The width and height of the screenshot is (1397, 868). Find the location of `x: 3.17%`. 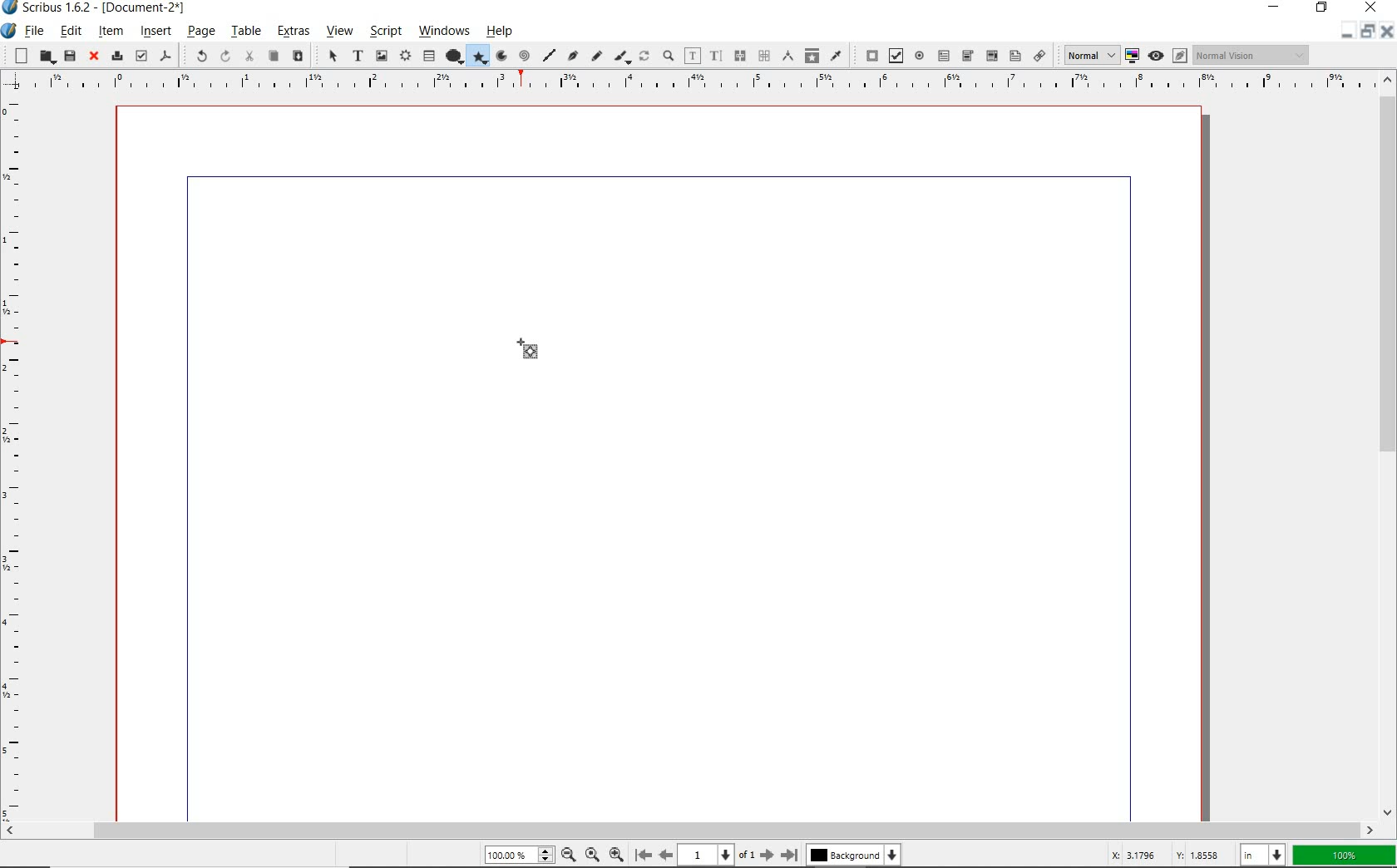

x: 3.17% is located at coordinates (1130, 855).